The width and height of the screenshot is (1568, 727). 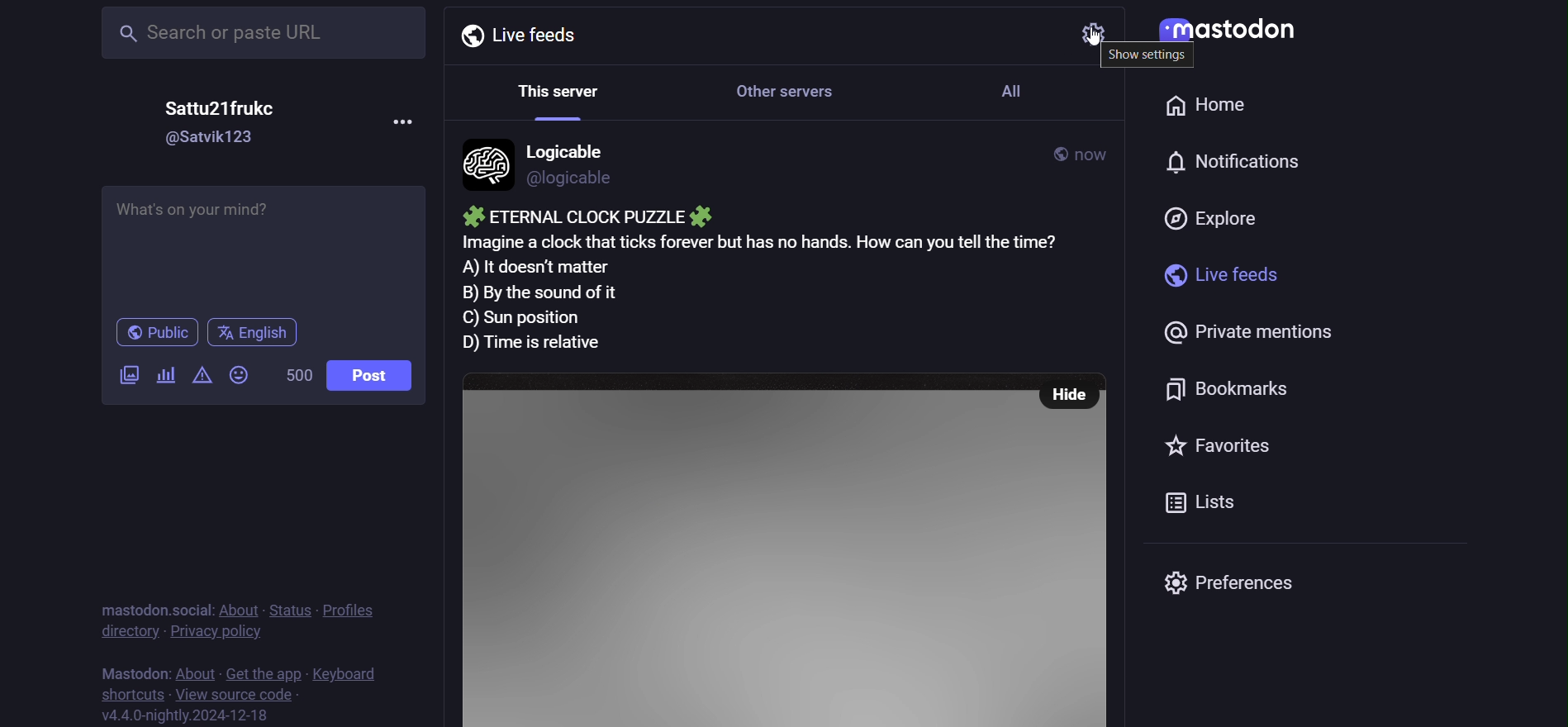 I want to click on } ETERNAL CLOCK PUZZLE, so click(x=583, y=216).